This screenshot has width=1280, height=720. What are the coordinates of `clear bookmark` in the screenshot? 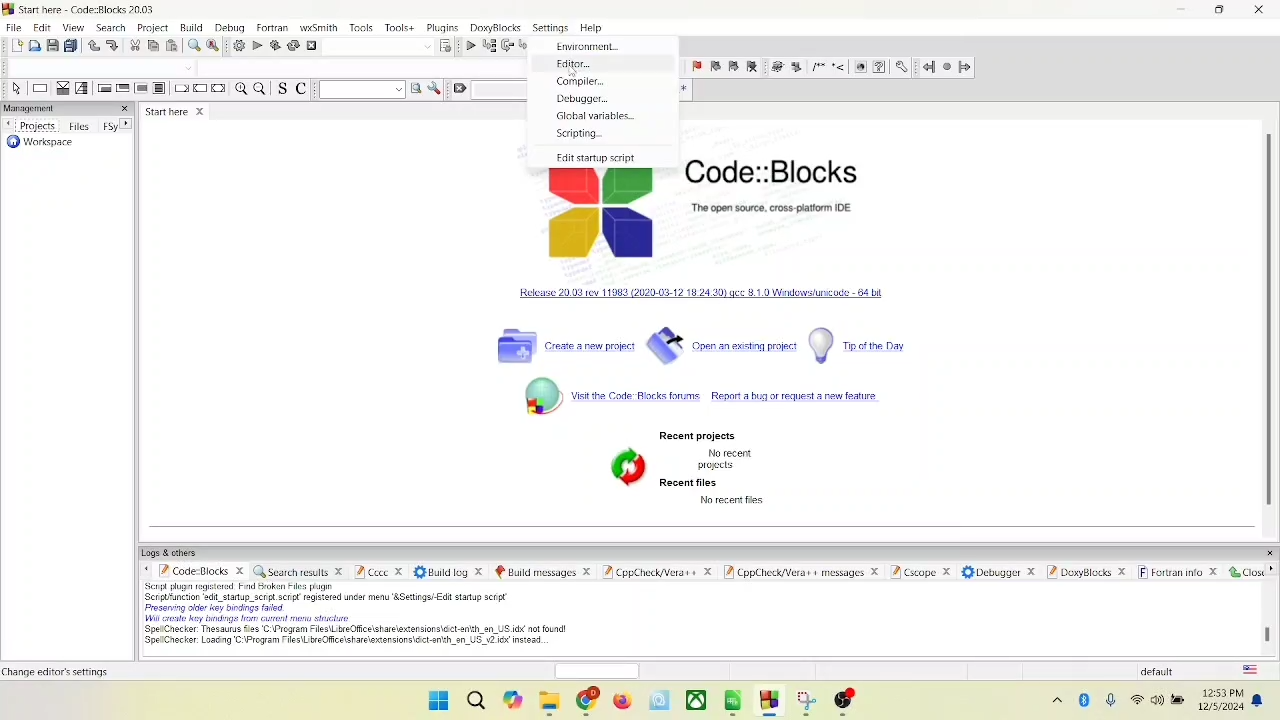 It's located at (751, 65).